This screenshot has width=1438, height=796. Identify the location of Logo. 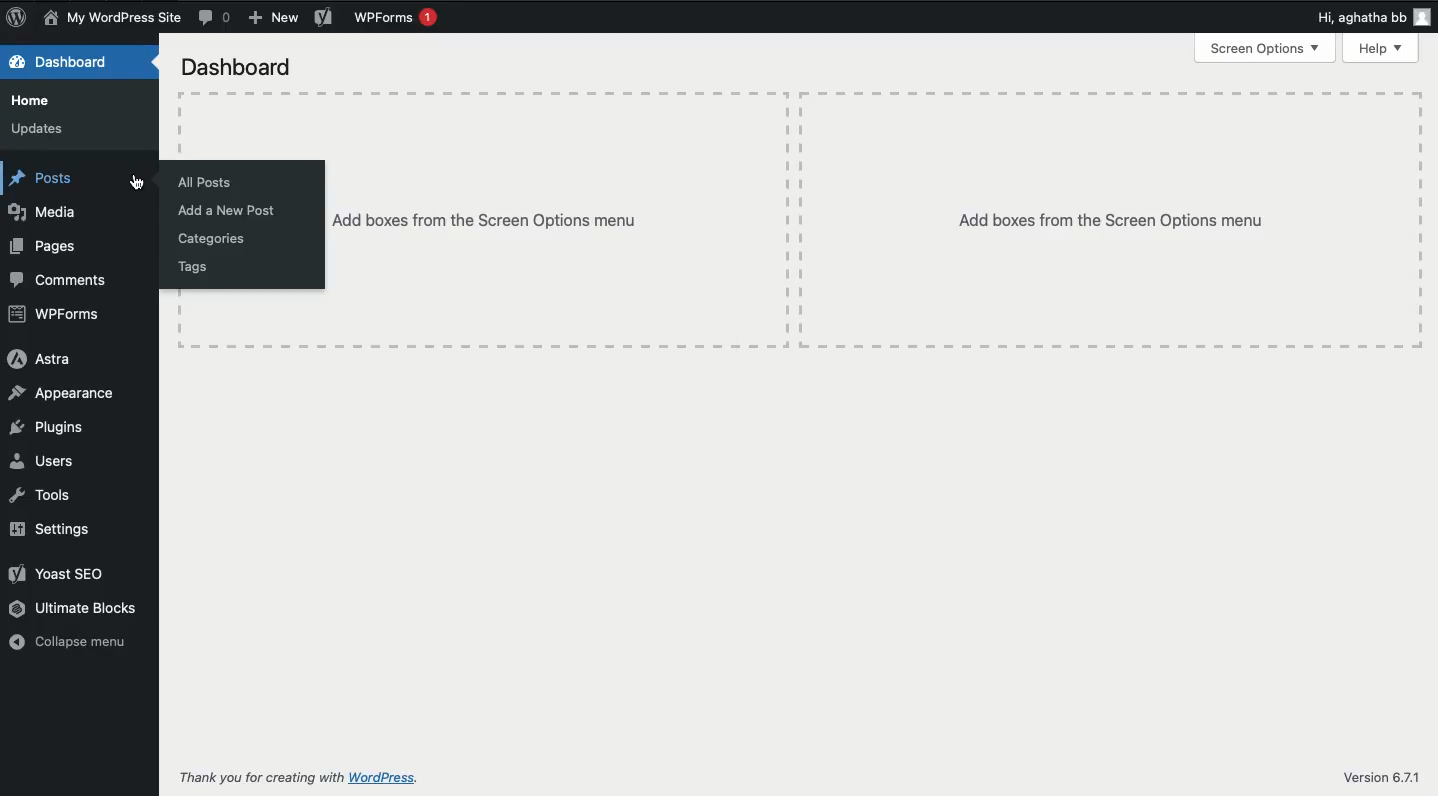
(16, 16).